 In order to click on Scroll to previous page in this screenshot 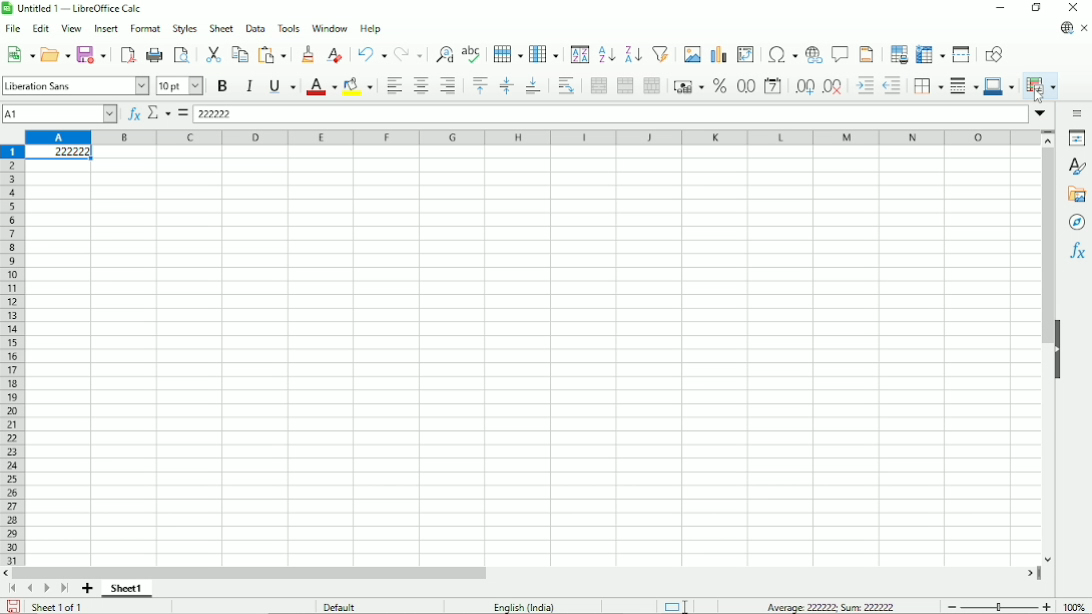, I will do `click(30, 588)`.